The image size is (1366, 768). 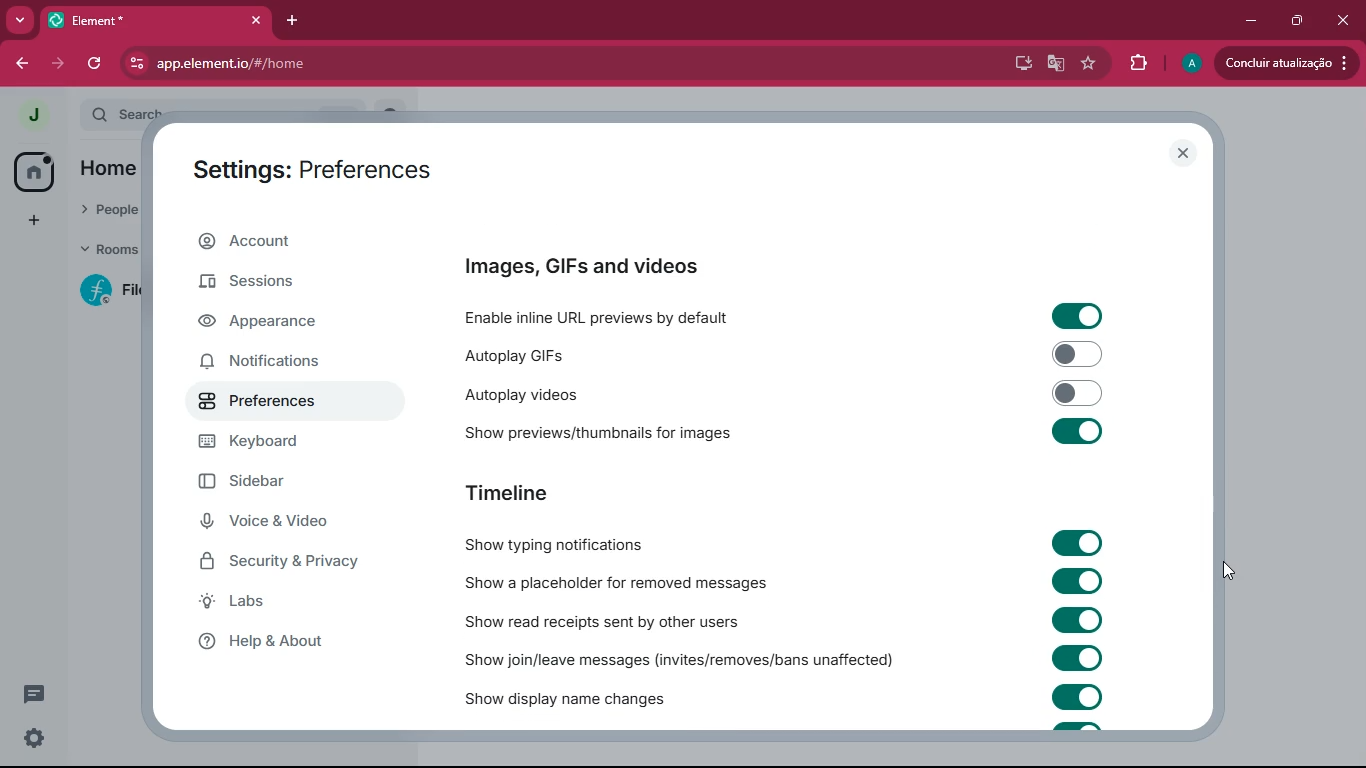 I want to click on help & about, so click(x=302, y=642).